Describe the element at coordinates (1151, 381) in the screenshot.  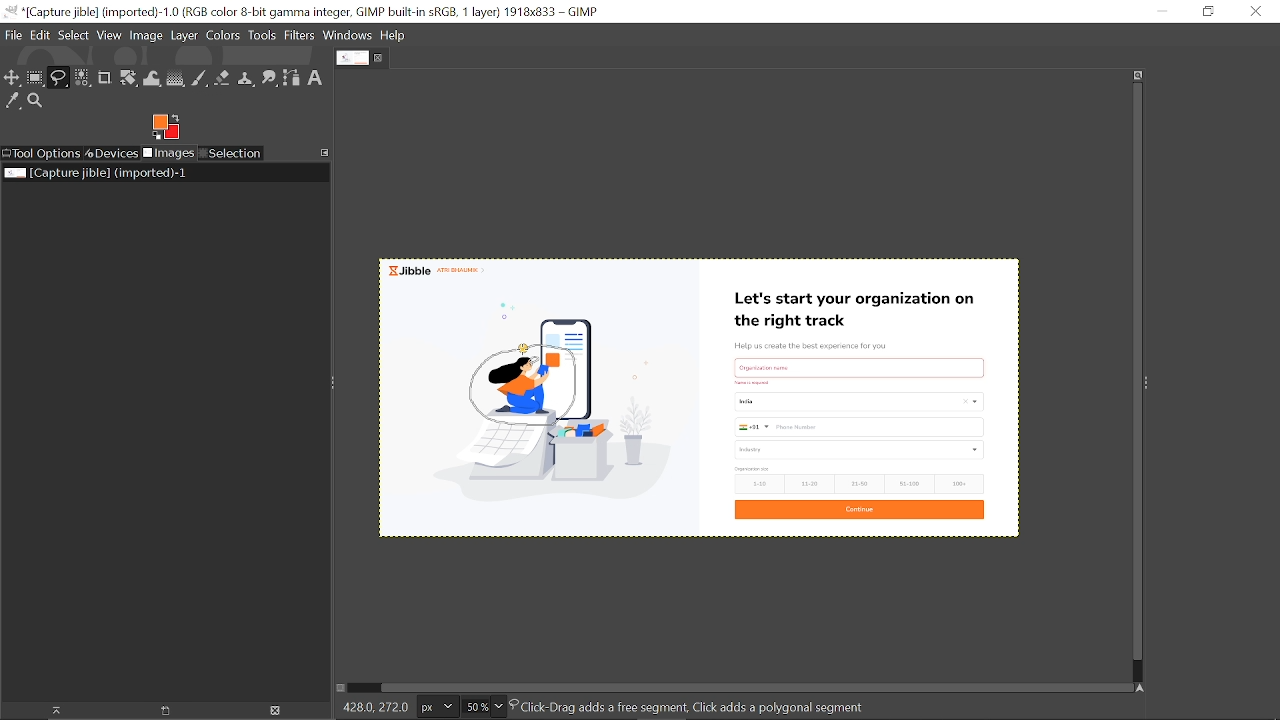
I see `Sidebar menu` at that location.